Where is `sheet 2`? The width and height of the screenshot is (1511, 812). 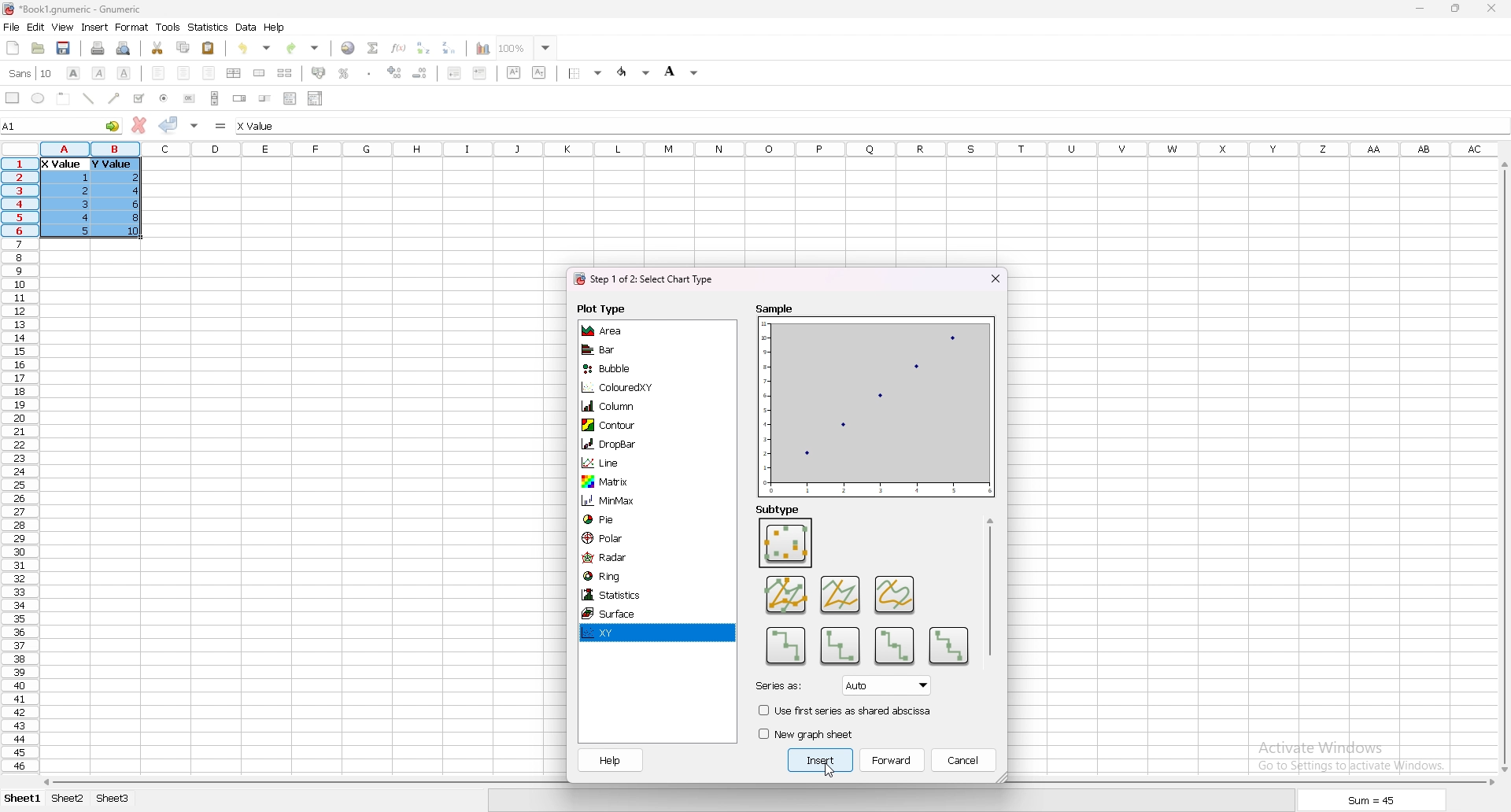
sheet 2 is located at coordinates (68, 799).